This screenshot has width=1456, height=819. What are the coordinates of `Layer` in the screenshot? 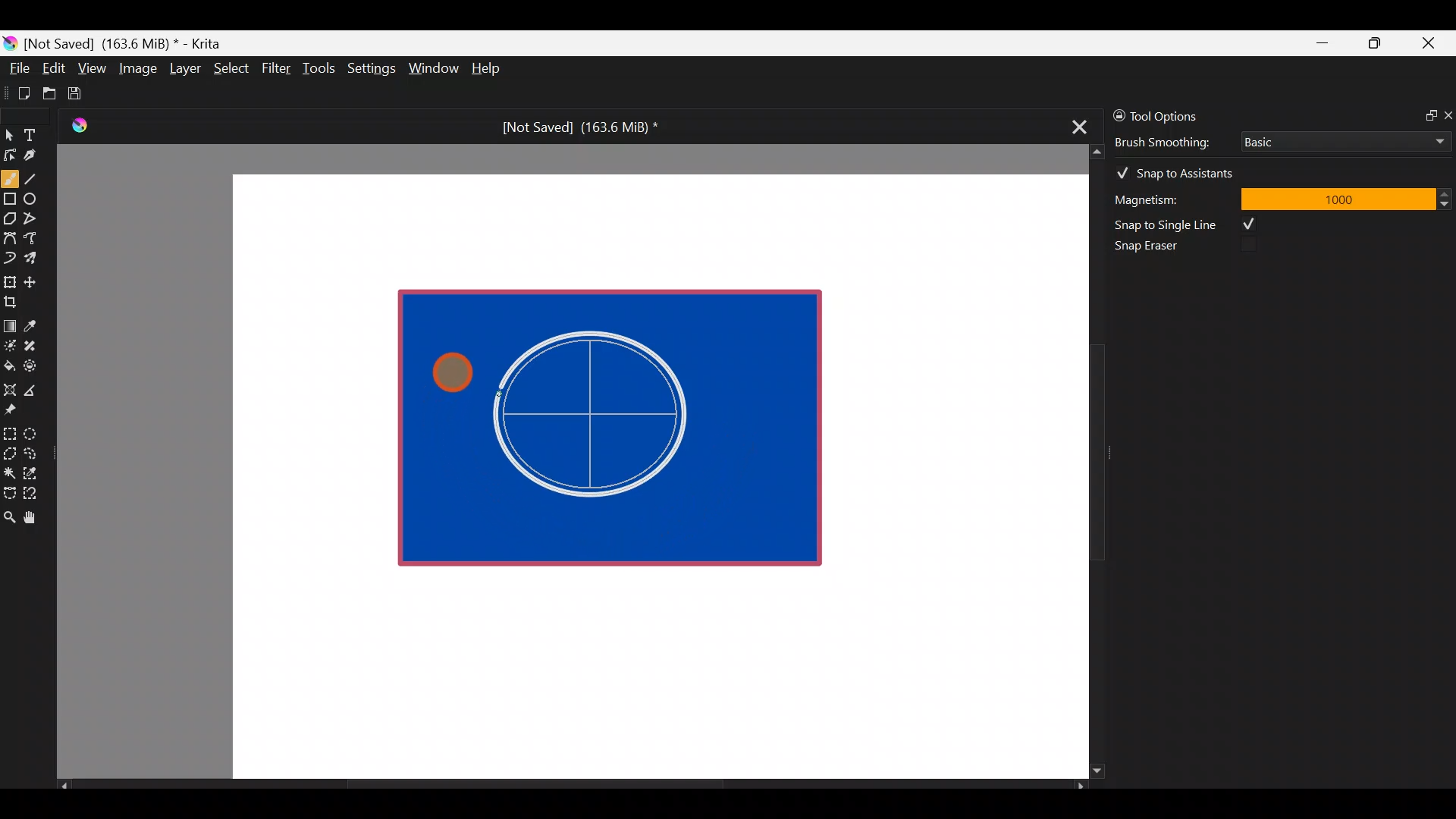 It's located at (184, 72).